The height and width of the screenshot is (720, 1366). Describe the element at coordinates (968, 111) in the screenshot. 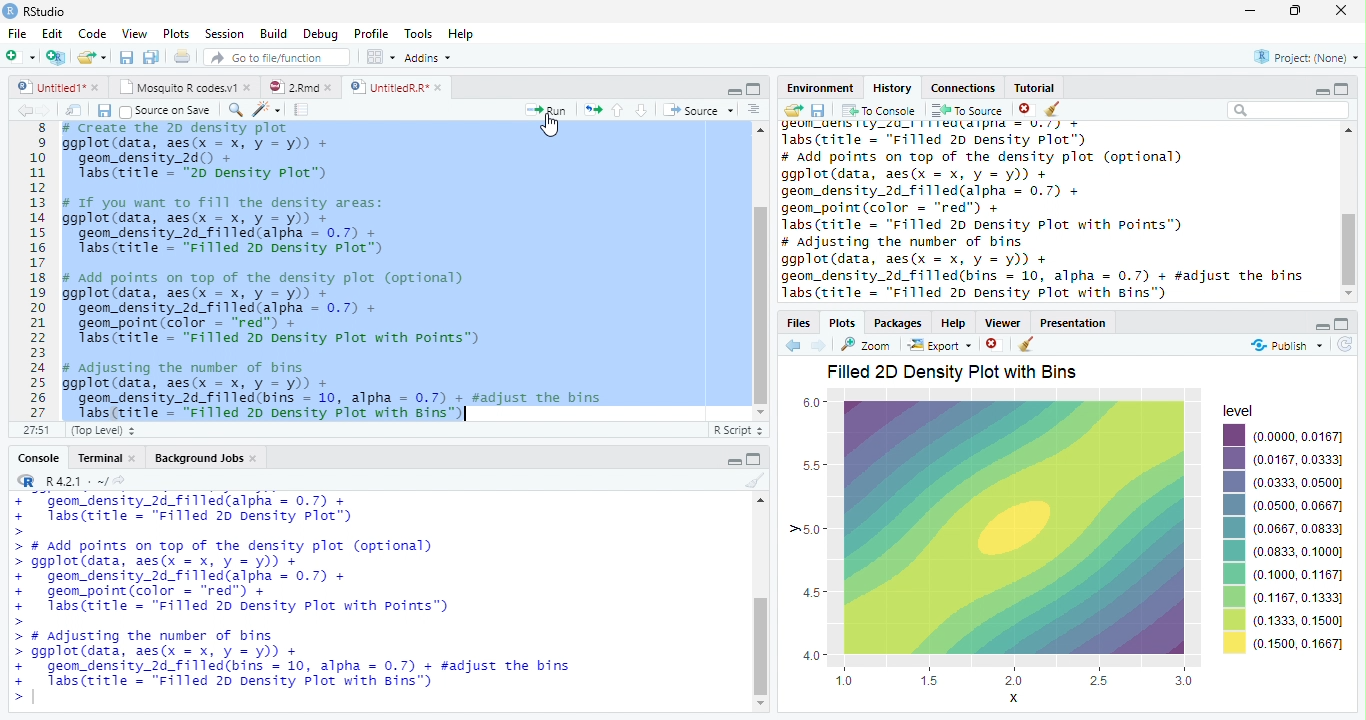

I see `To source` at that location.